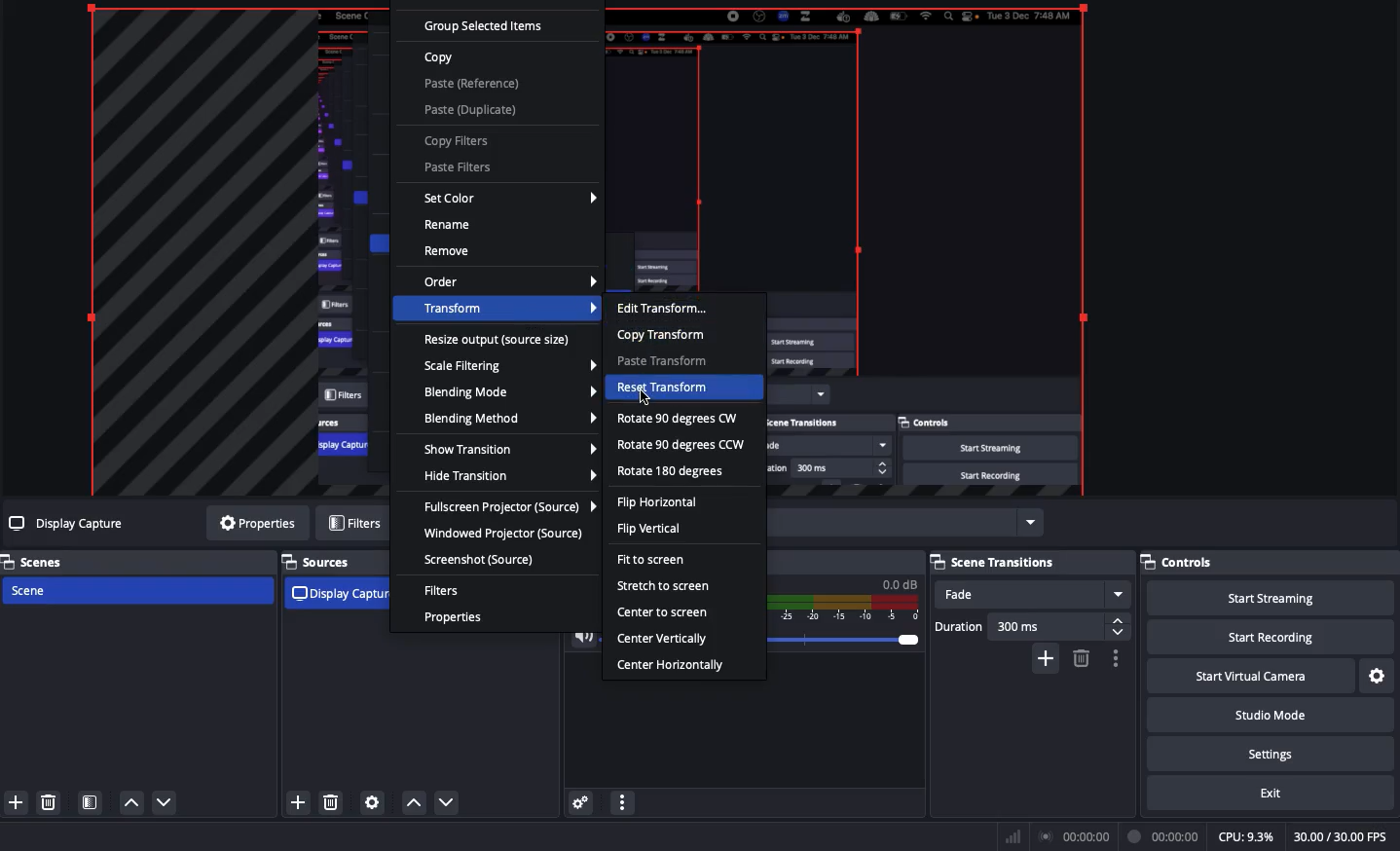 Image resolution: width=1400 pixels, height=851 pixels. Describe the element at coordinates (657, 560) in the screenshot. I see `Fit to screen ` at that location.